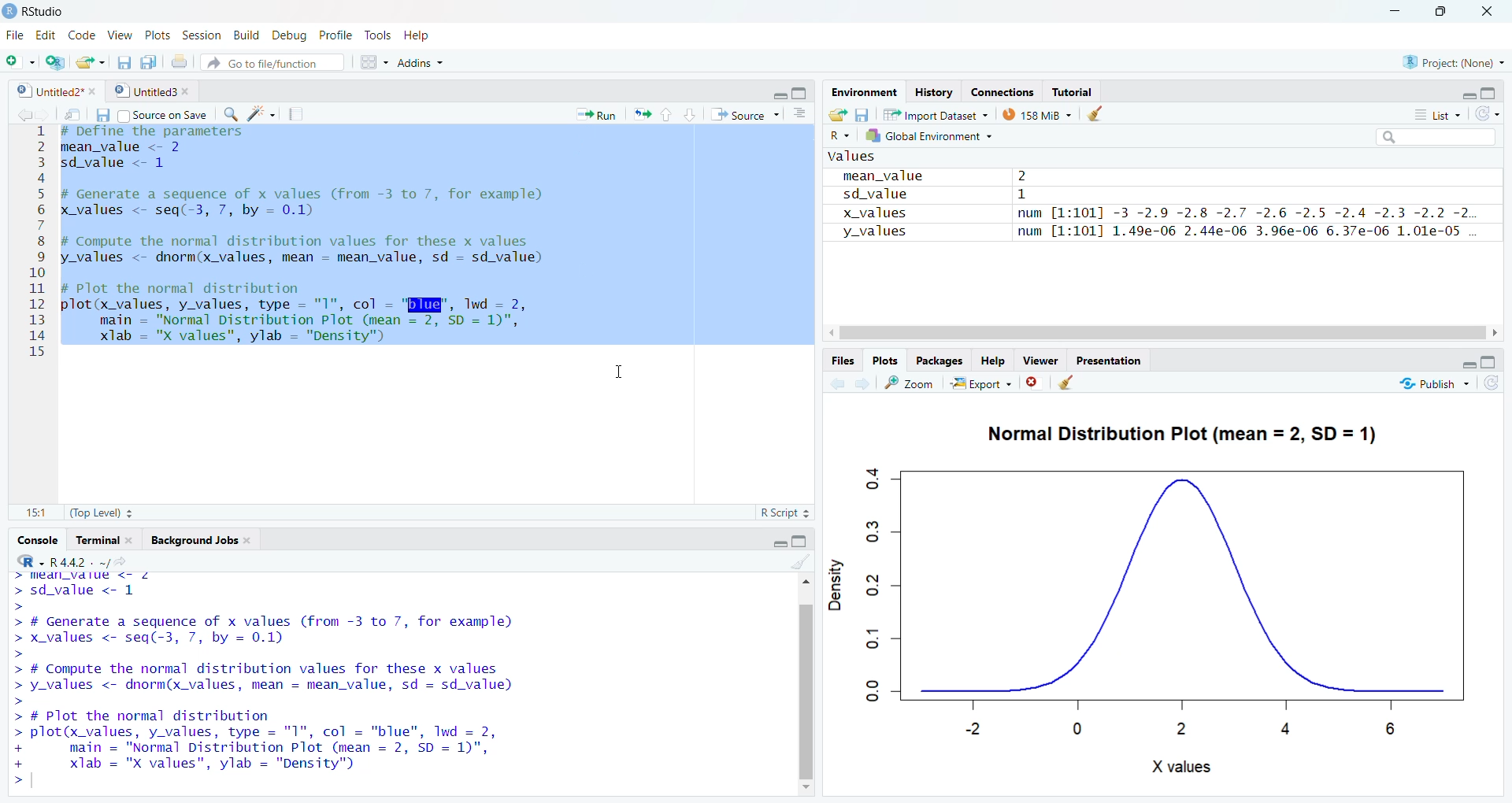 The width and height of the screenshot is (1512, 803). I want to click on New file, so click(17, 58).